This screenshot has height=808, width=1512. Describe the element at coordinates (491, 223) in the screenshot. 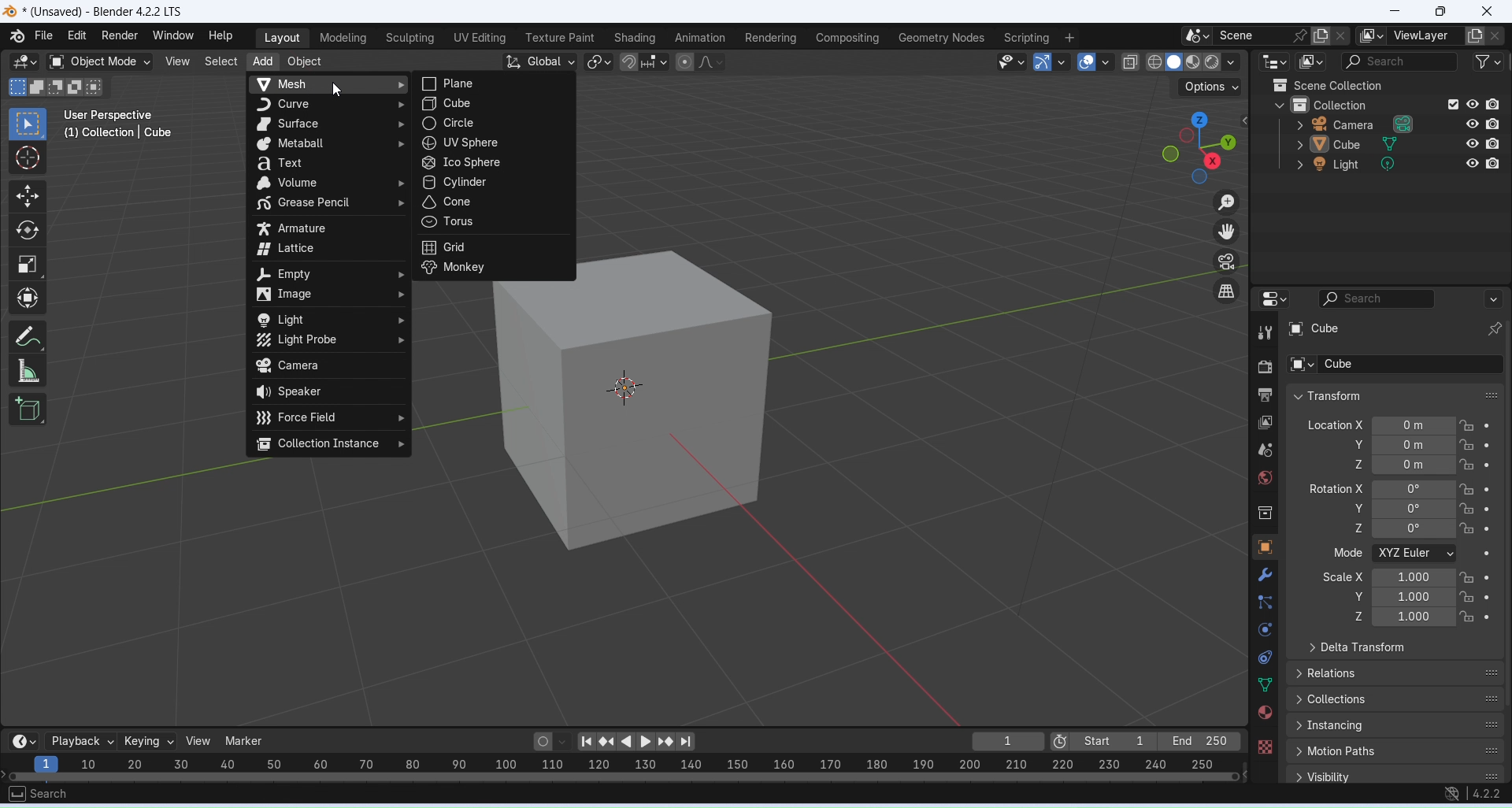

I see `torus` at that location.